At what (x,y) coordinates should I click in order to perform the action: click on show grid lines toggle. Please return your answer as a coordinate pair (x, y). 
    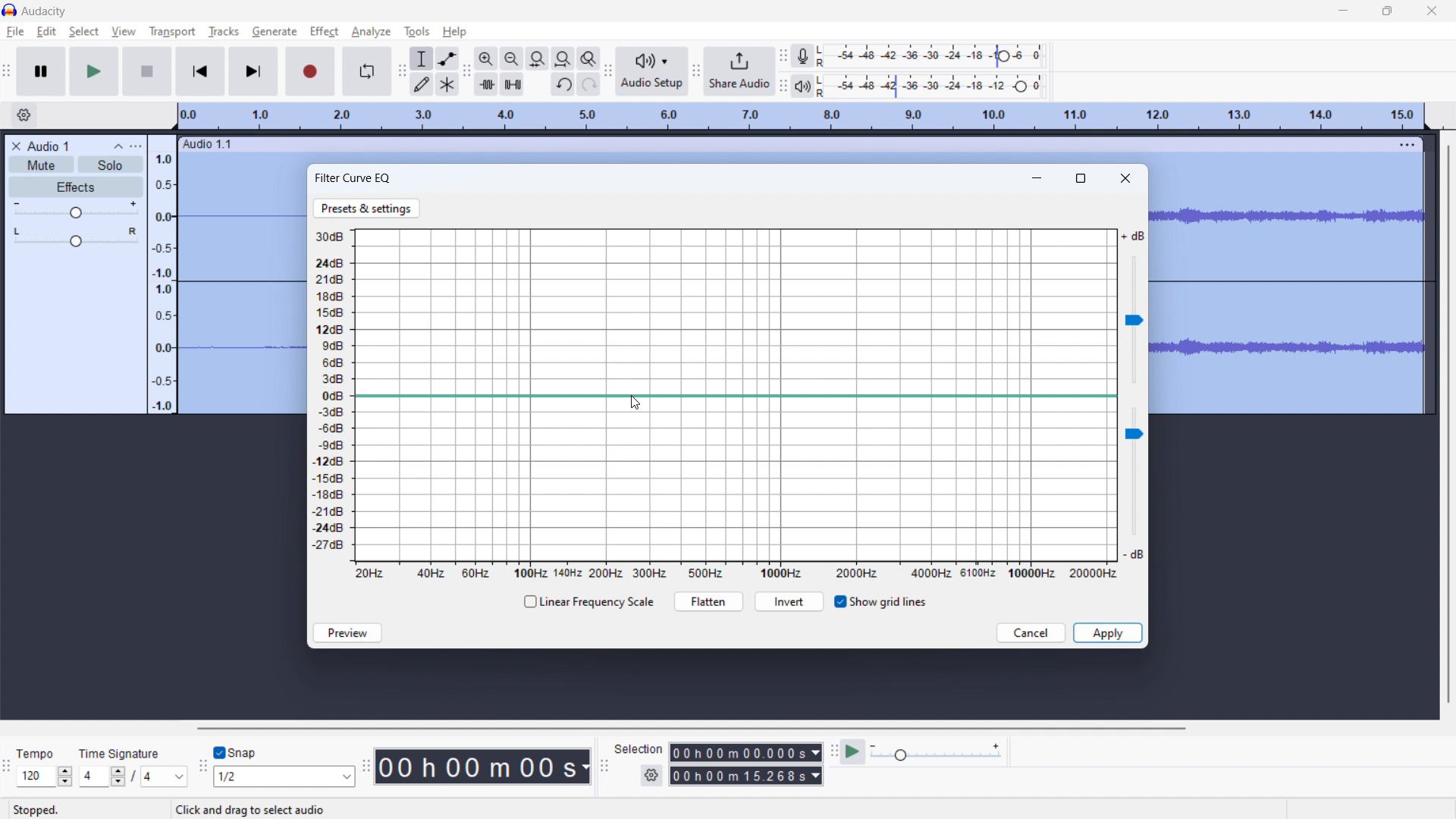
    Looking at the image, I should click on (880, 602).